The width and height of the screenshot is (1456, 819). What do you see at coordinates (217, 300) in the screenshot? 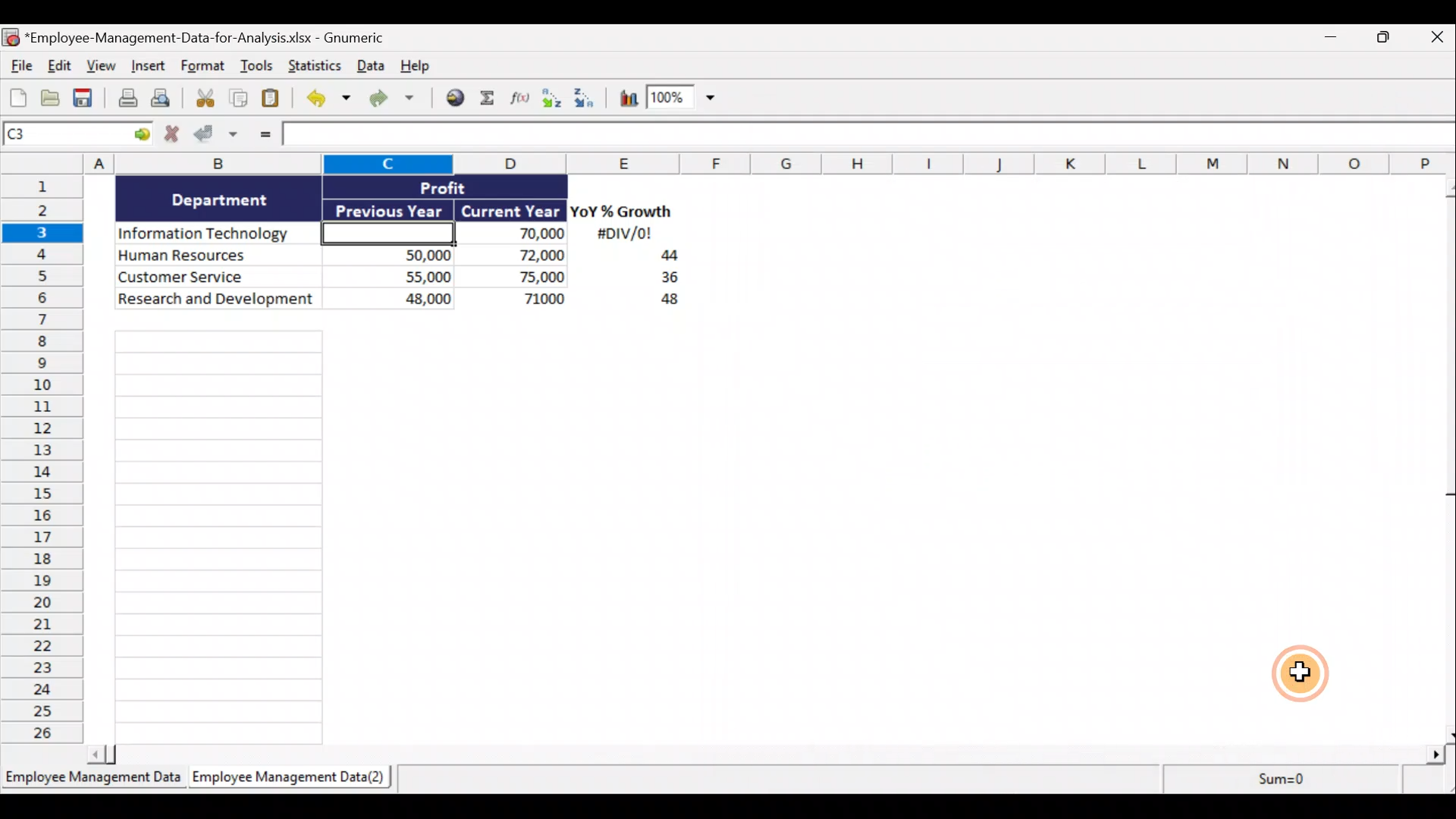
I see `Research and development` at bounding box center [217, 300].